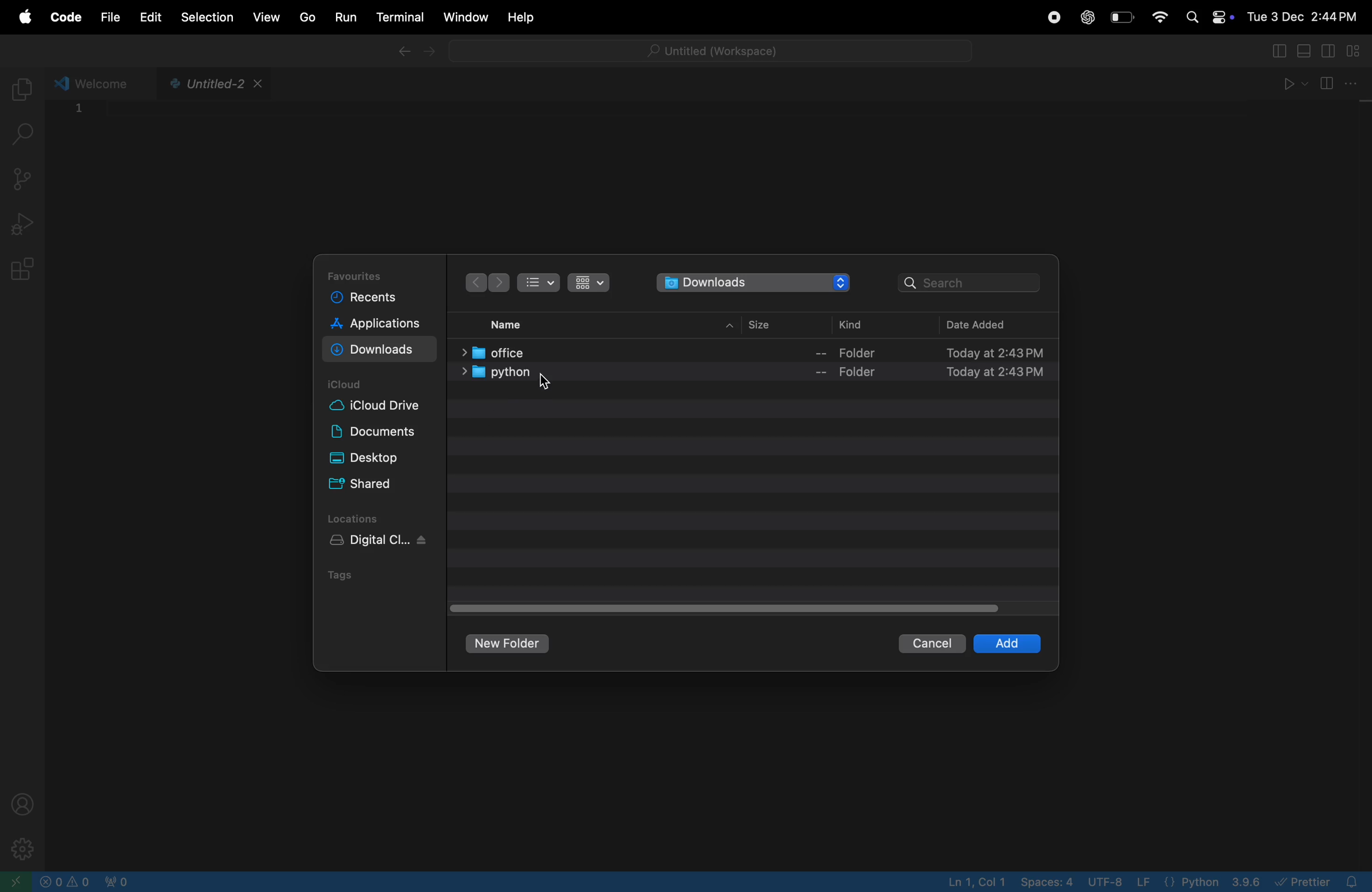 The image size is (1372, 892). What do you see at coordinates (755, 324) in the screenshot?
I see `size` at bounding box center [755, 324].